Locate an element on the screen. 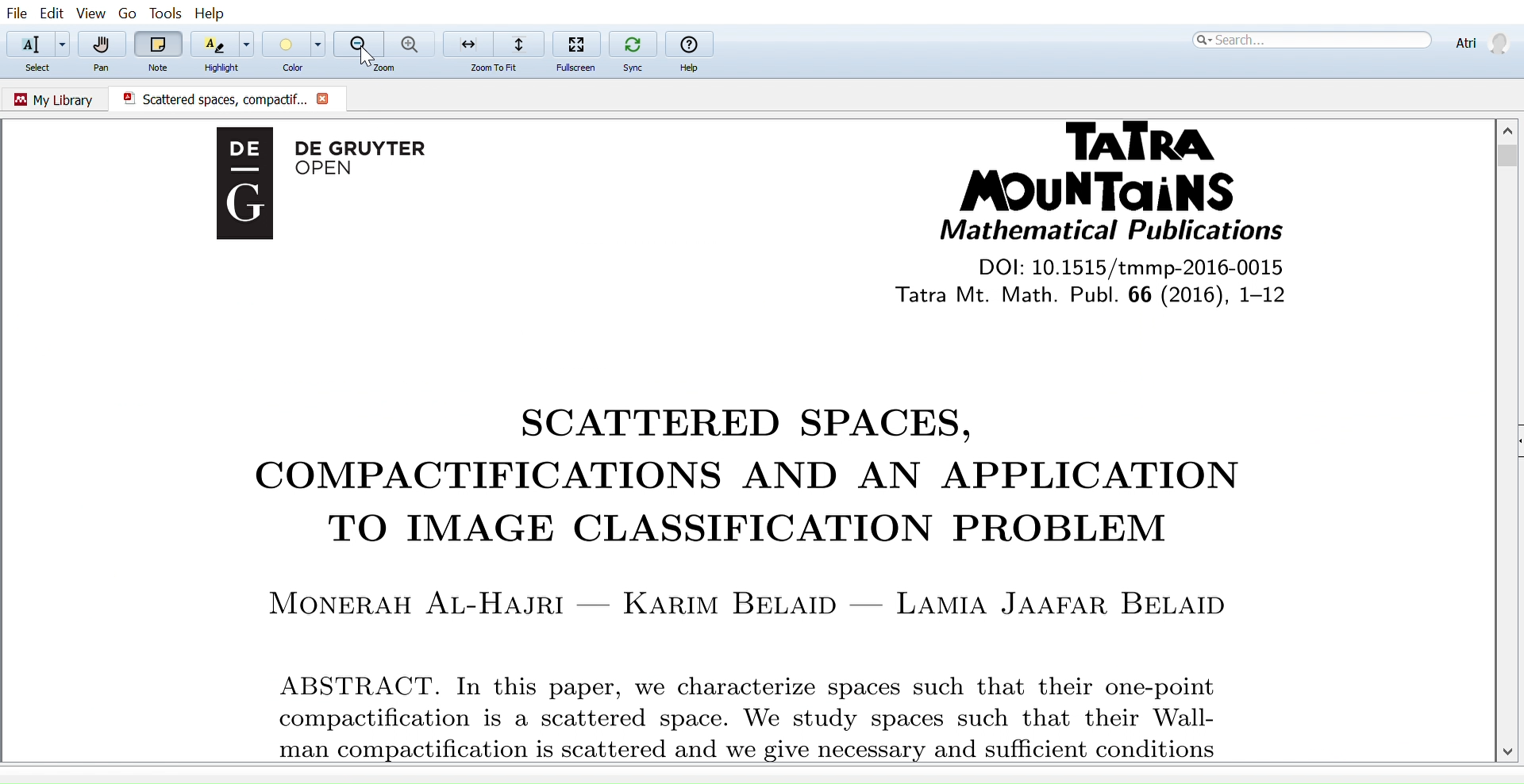  Color options is located at coordinates (320, 44).